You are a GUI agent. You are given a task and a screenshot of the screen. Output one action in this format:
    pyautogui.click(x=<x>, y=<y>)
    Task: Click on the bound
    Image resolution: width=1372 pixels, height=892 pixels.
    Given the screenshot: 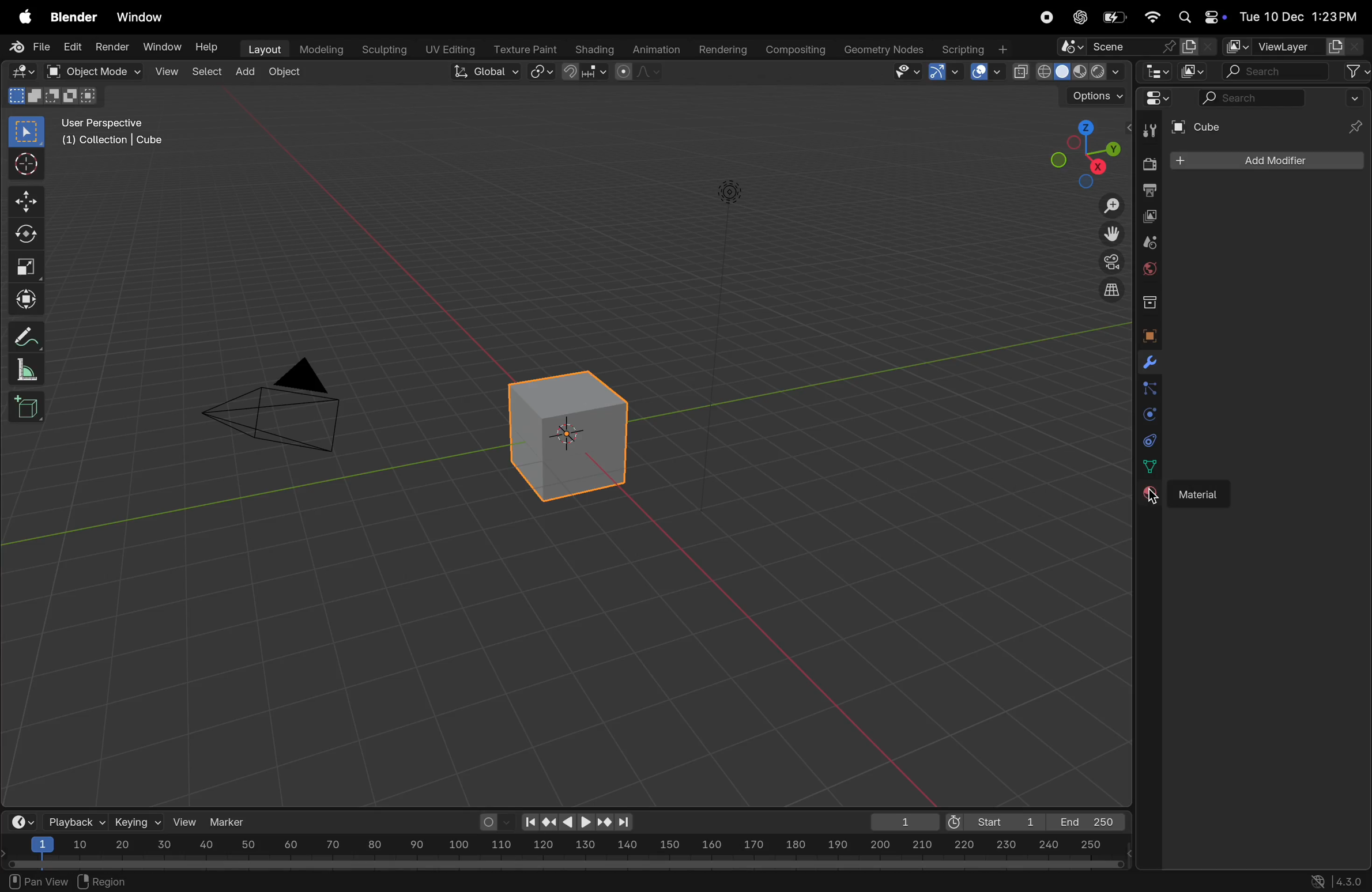 What is the action you would take?
    pyautogui.click(x=1149, y=387)
    